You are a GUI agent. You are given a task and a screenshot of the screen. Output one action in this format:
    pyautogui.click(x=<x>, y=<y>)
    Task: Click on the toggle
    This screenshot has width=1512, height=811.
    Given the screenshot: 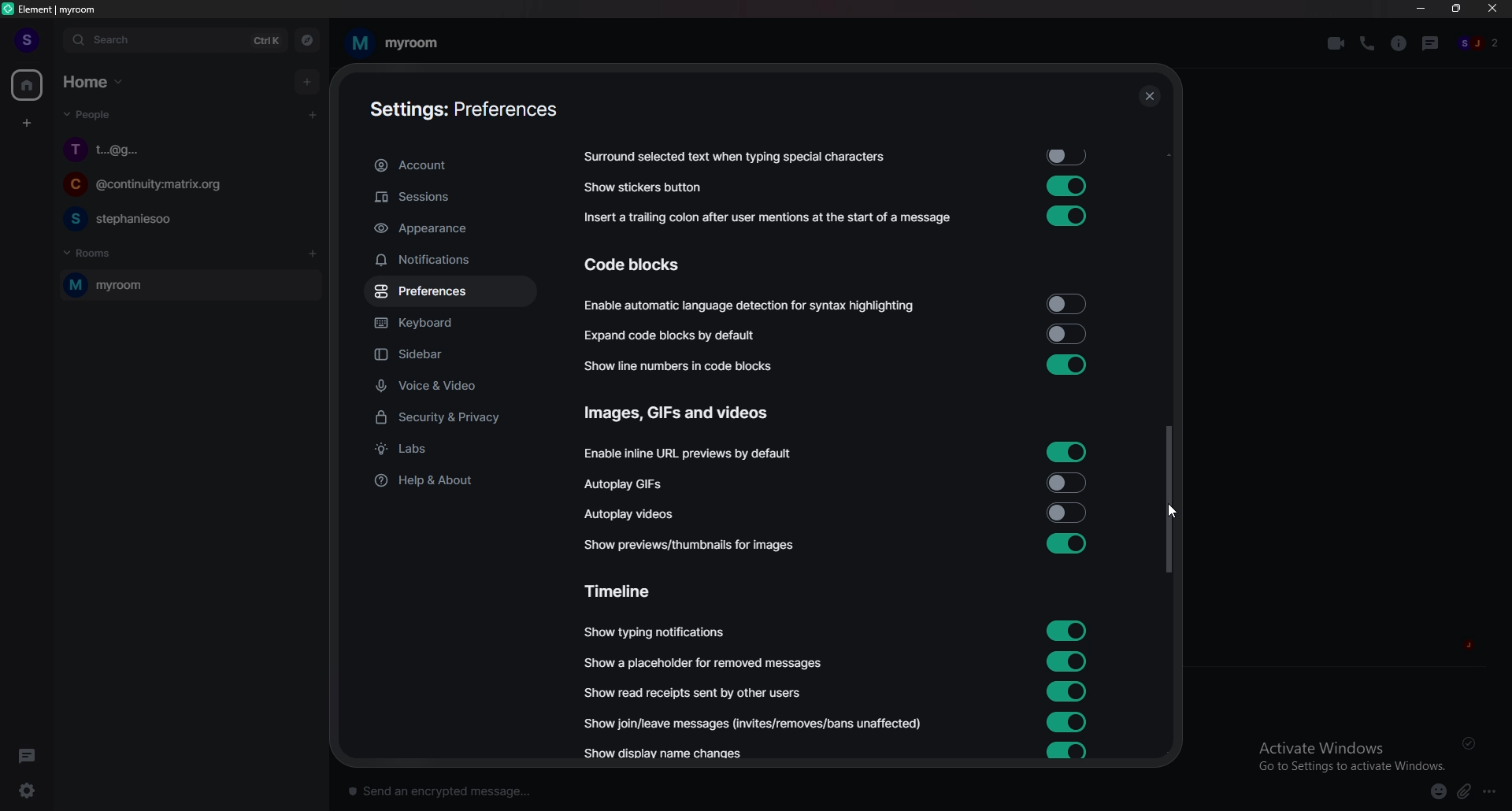 What is the action you would take?
    pyautogui.click(x=1068, y=751)
    